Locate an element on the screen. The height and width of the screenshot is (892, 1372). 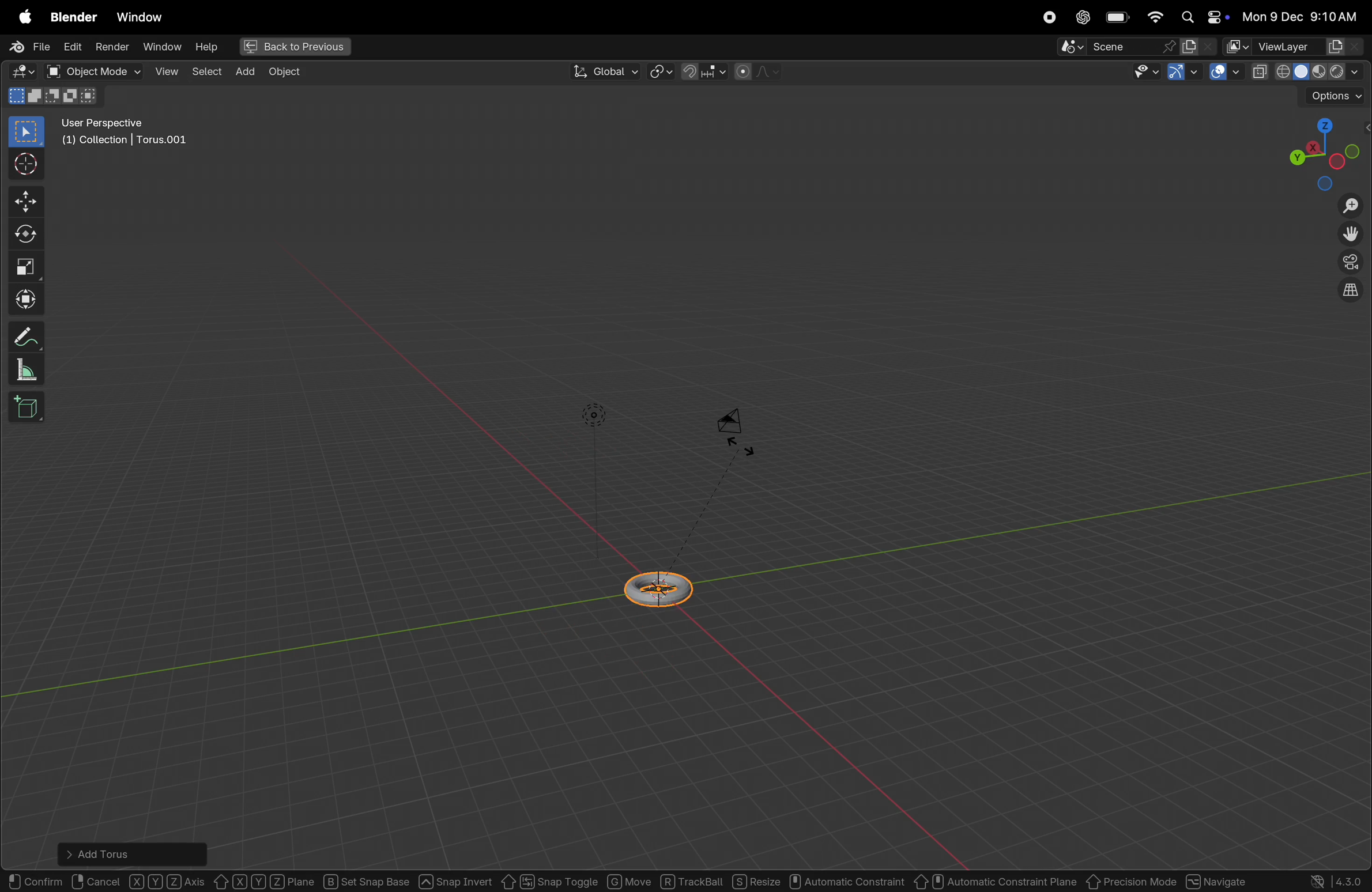
automatic constraint plane is located at coordinates (996, 879).